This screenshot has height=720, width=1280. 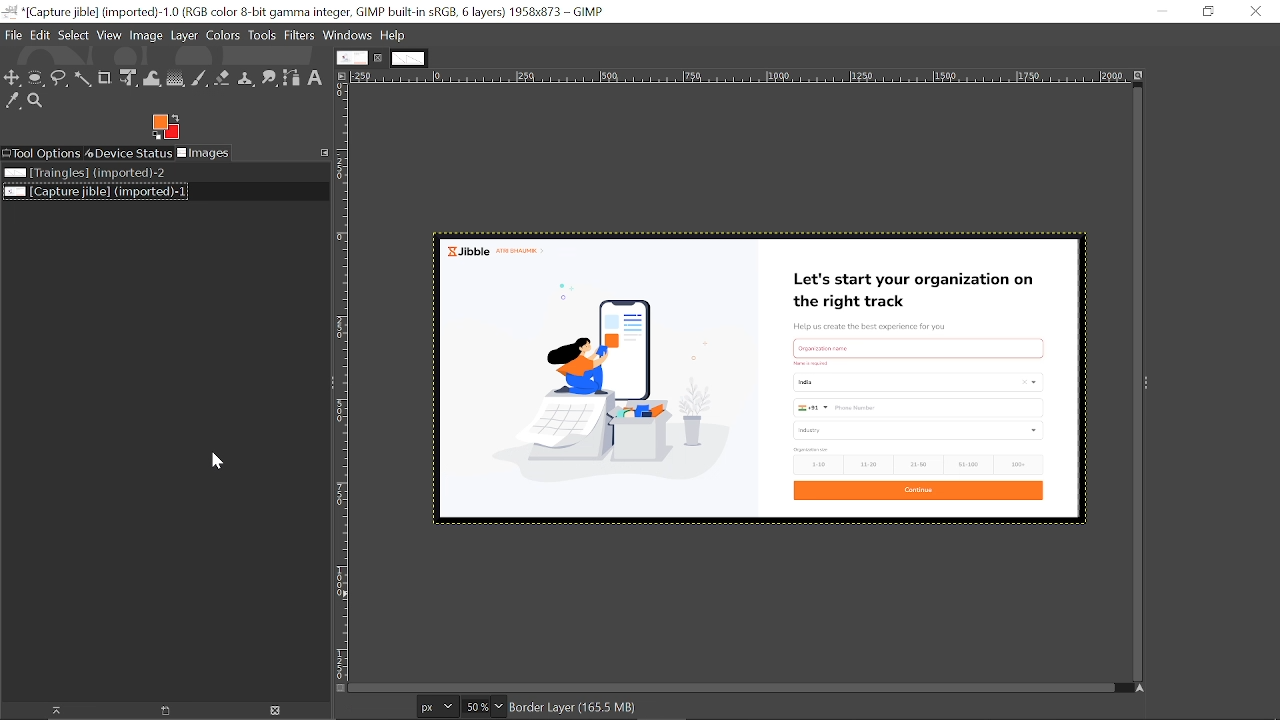 I want to click on Text tool, so click(x=315, y=78).